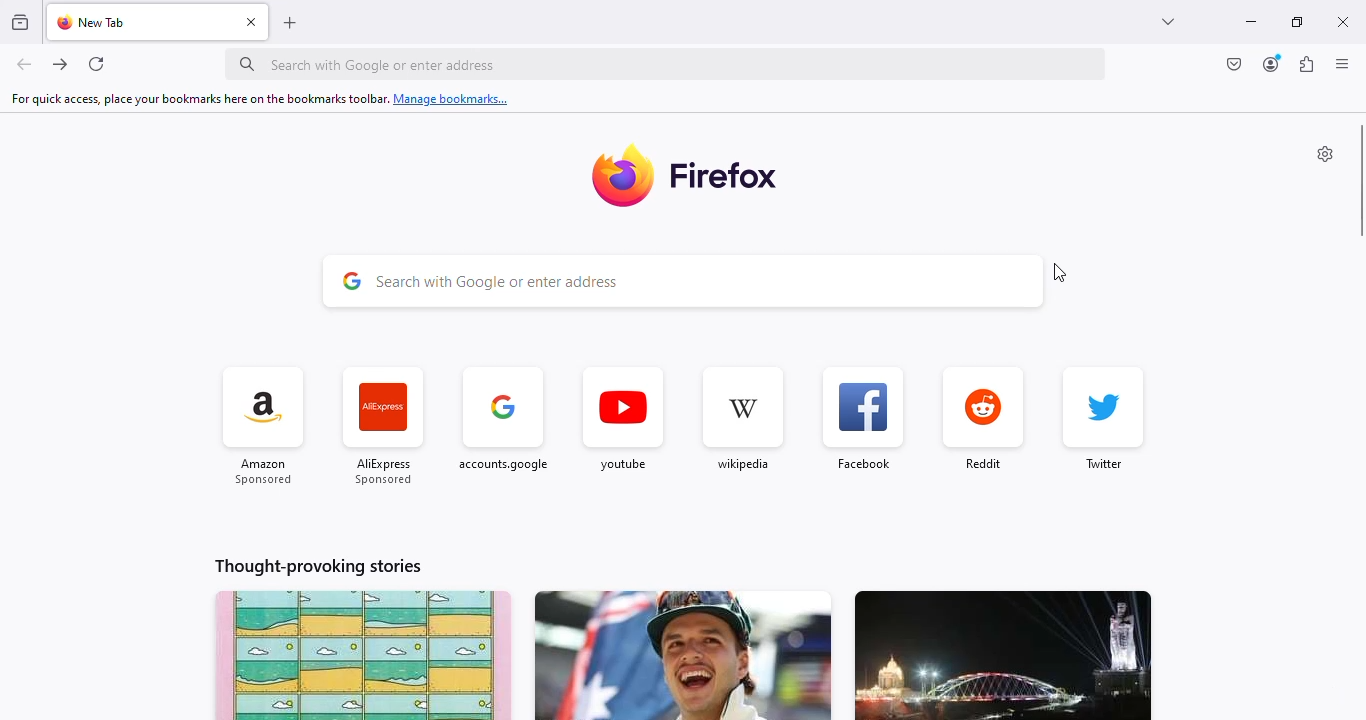 This screenshot has height=720, width=1366. Describe the element at coordinates (504, 426) in the screenshot. I see `google accounts` at that location.